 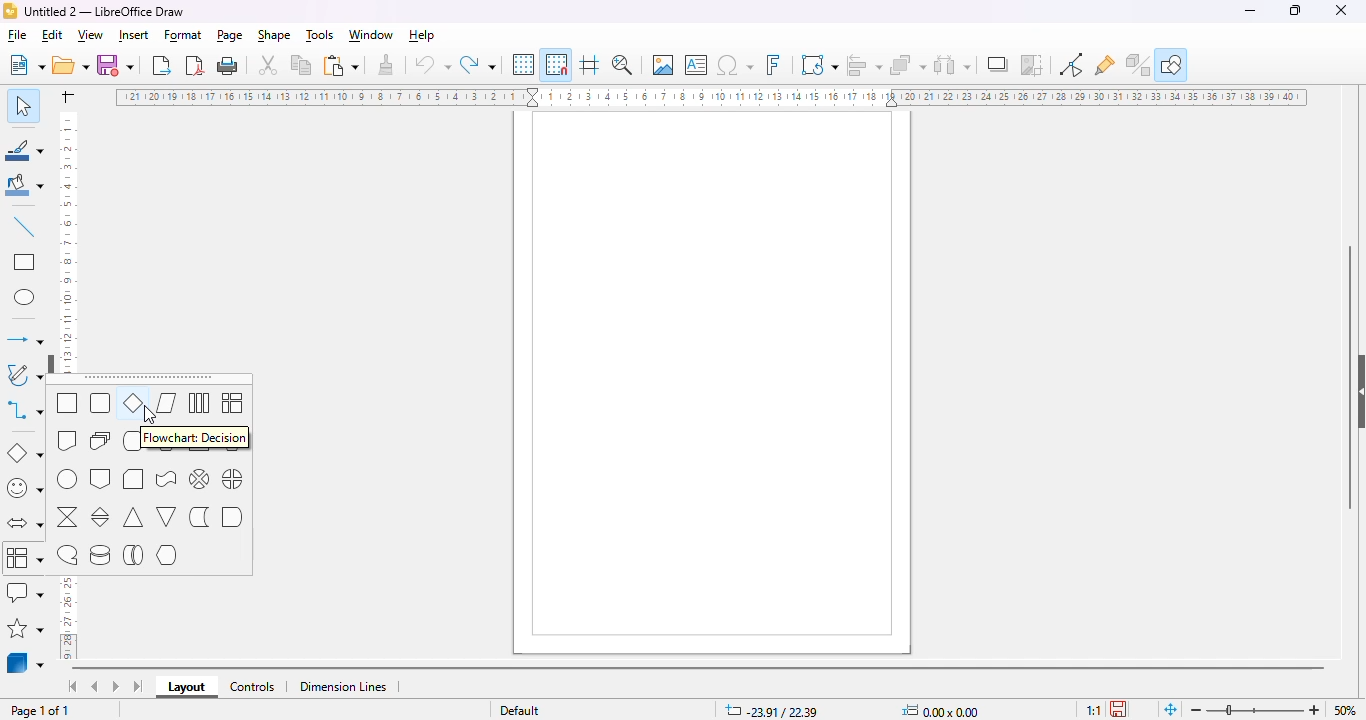 What do you see at coordinates (43, 571) in the screenshot?
I see `cursor` at bounding box center [43, 571].